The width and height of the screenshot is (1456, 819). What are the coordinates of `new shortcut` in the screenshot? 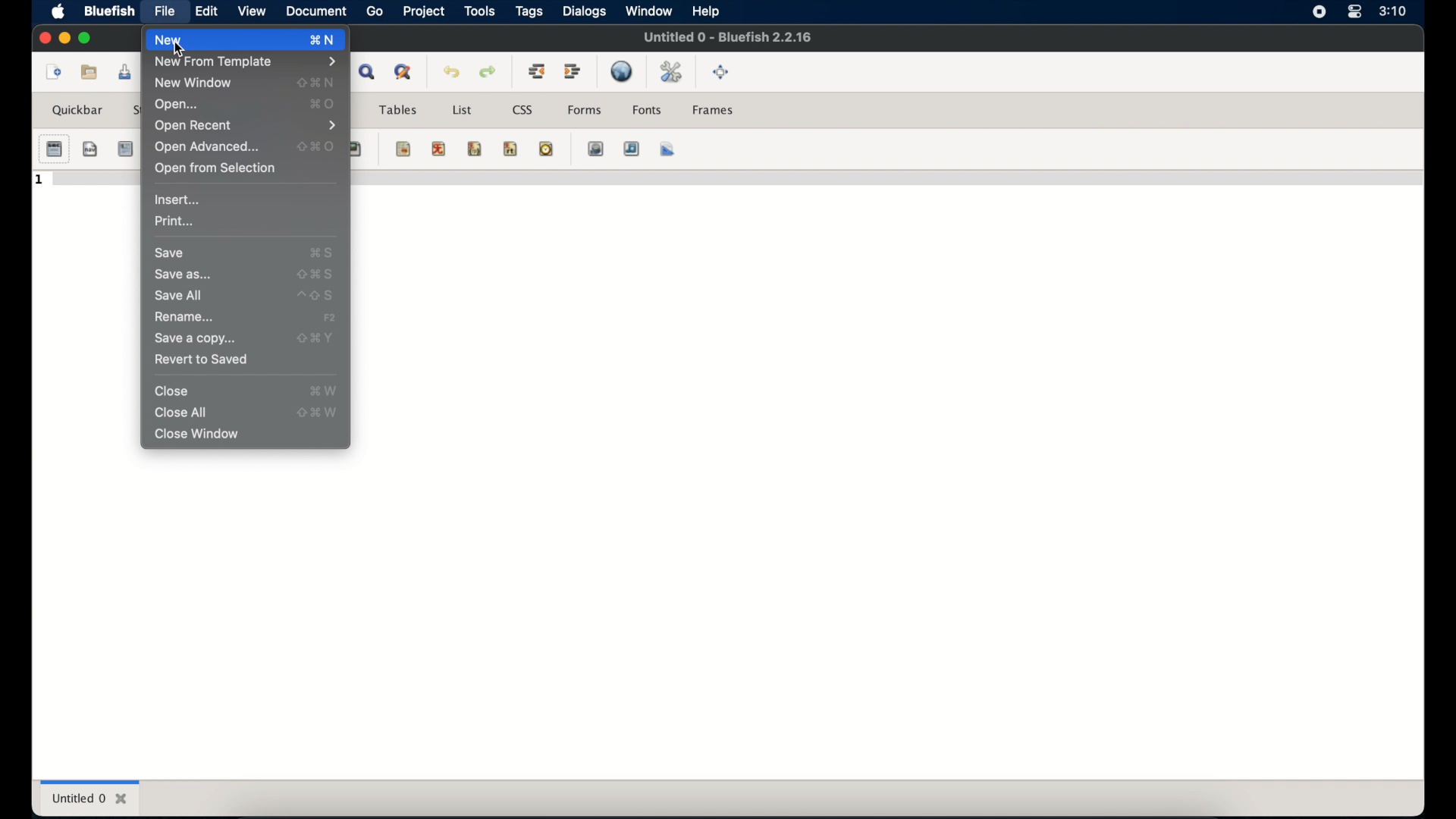 It's located at (327, 39).